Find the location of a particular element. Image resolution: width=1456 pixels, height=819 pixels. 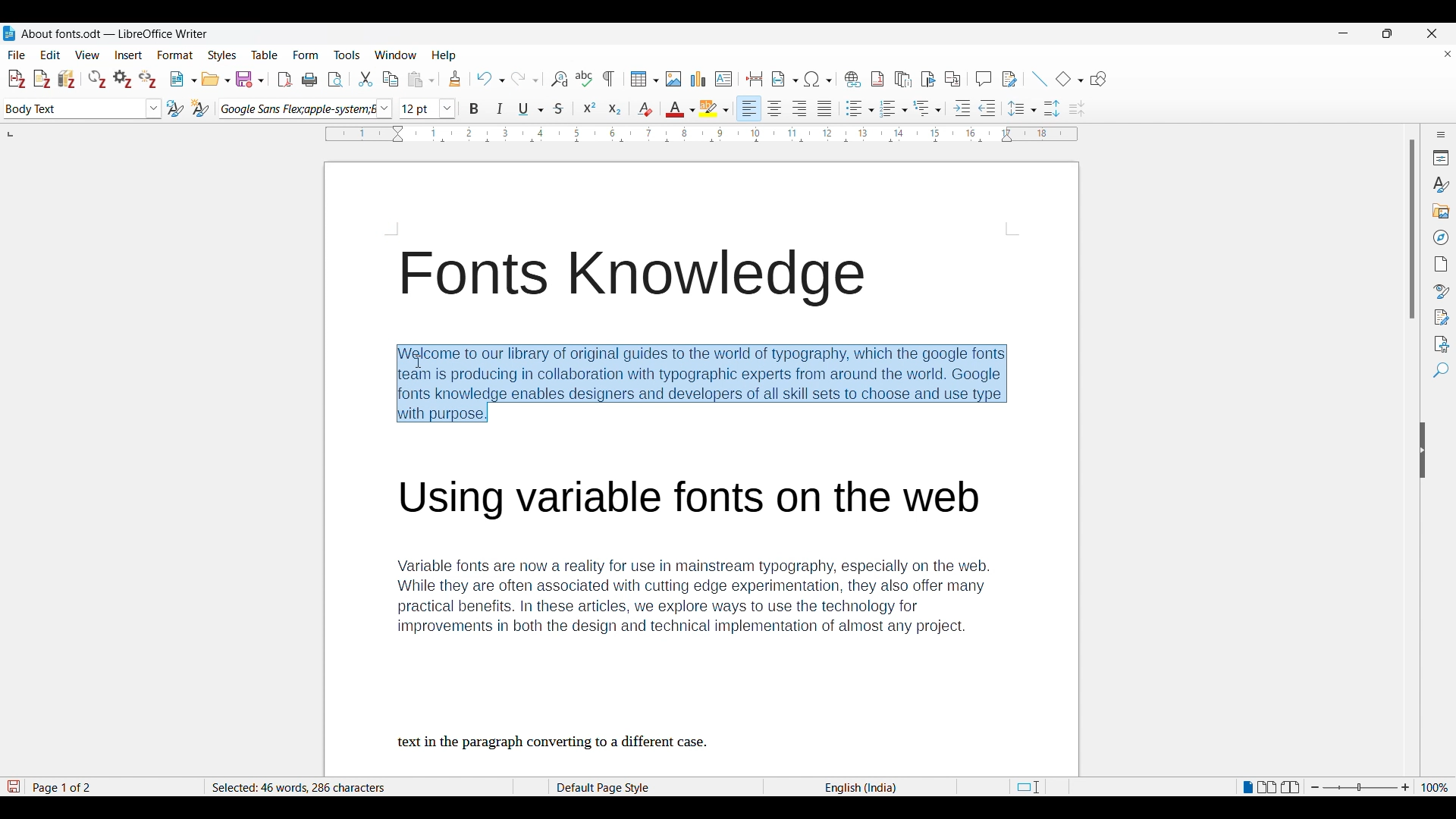

Insert image is located at coordinates (674, 79).